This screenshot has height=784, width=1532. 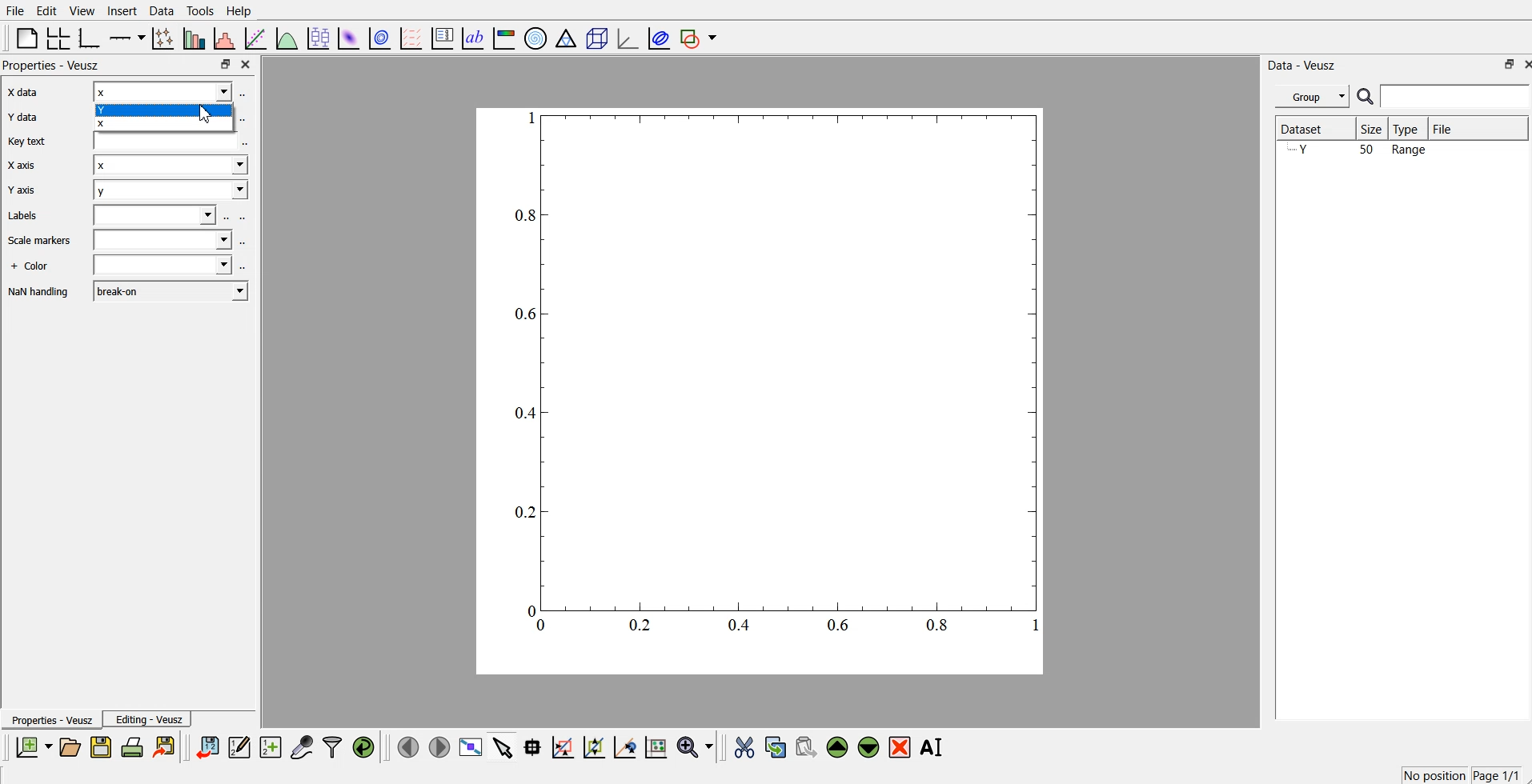 I want to click on File, so click(x=16, y=10).